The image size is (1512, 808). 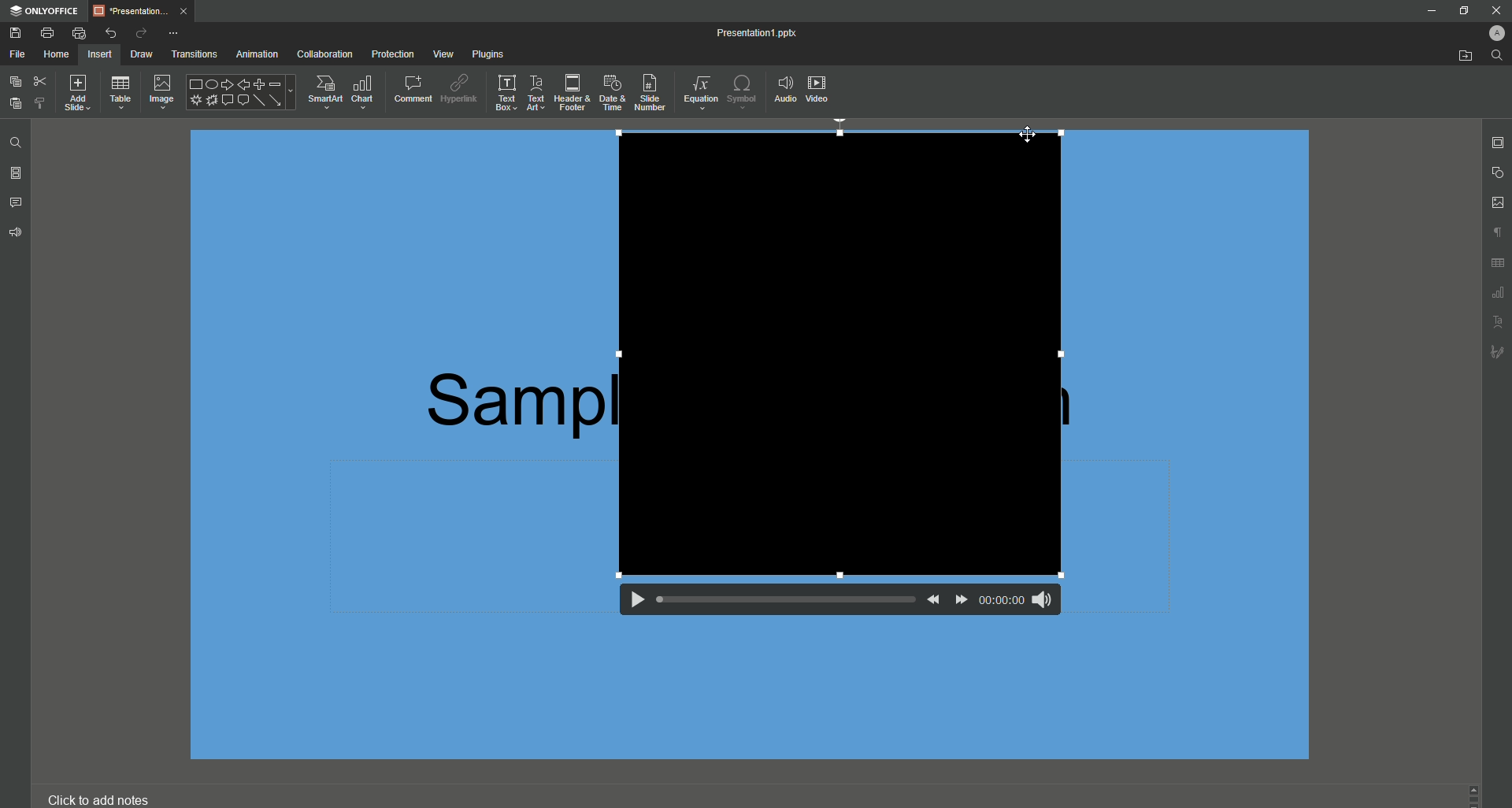 What do you see at coordinates (106, 799) in the screenshot?
I see `Click to add notes` at bounding box center [106, 799].